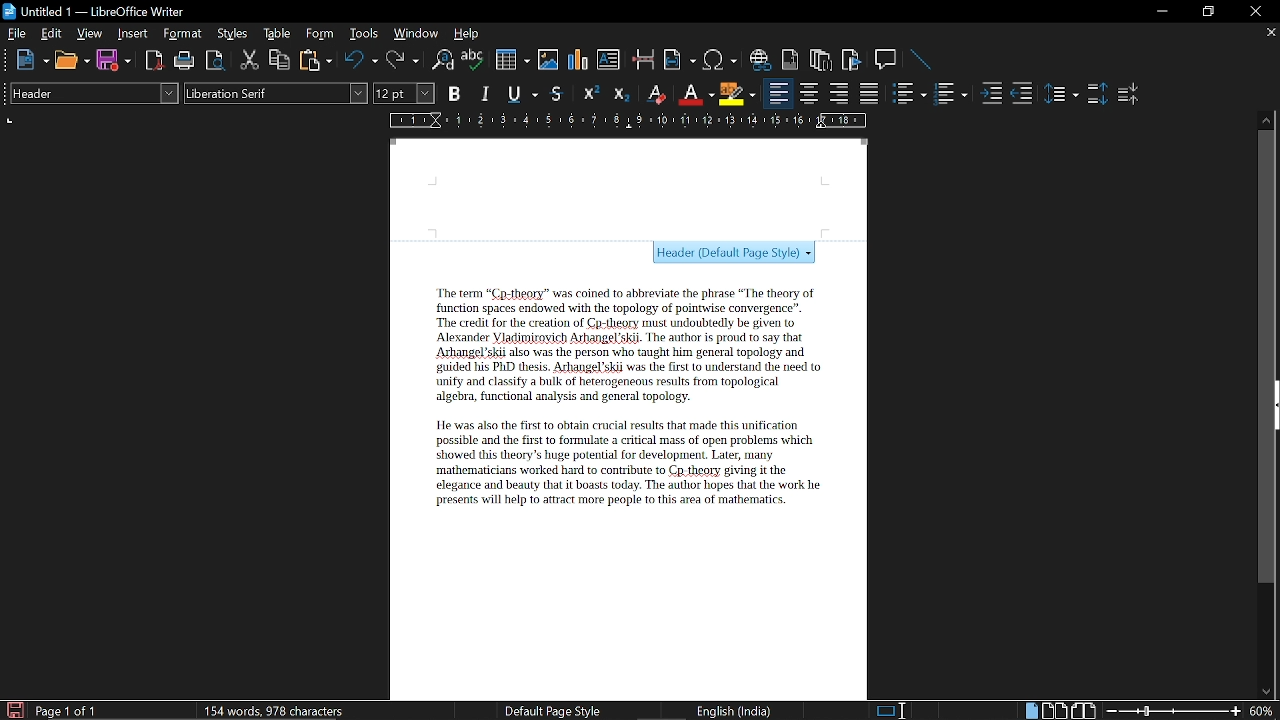 The image size is (1280, 720). Describe the element at coordinates (454, 96) in the screenshot. I see `Bold` at that location.